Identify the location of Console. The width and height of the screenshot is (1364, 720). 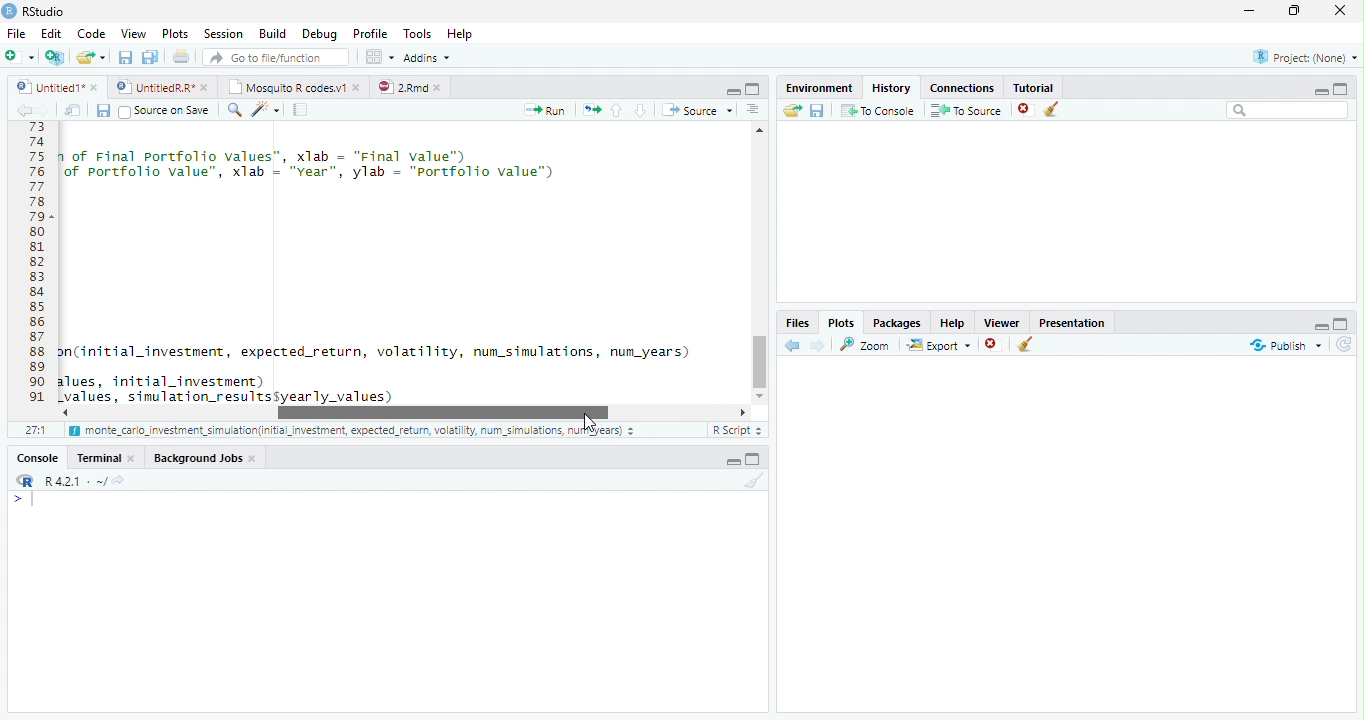
(387, 601).